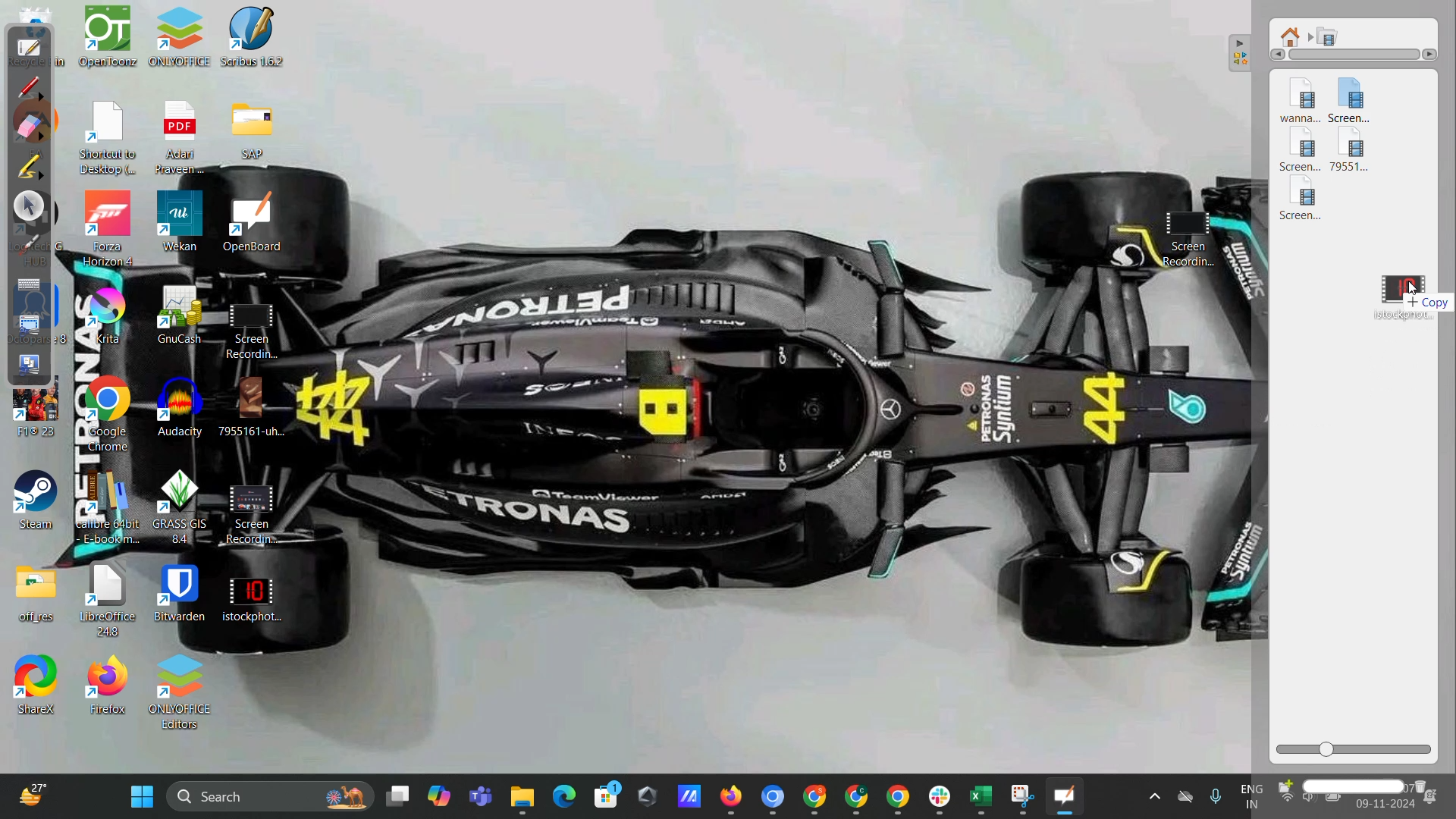 This screenshot has height=819, width=1456. What do you see at coordinates (27, 206) in the screenshot?
I see `select and modify objects` at bounding box center [27, 206].